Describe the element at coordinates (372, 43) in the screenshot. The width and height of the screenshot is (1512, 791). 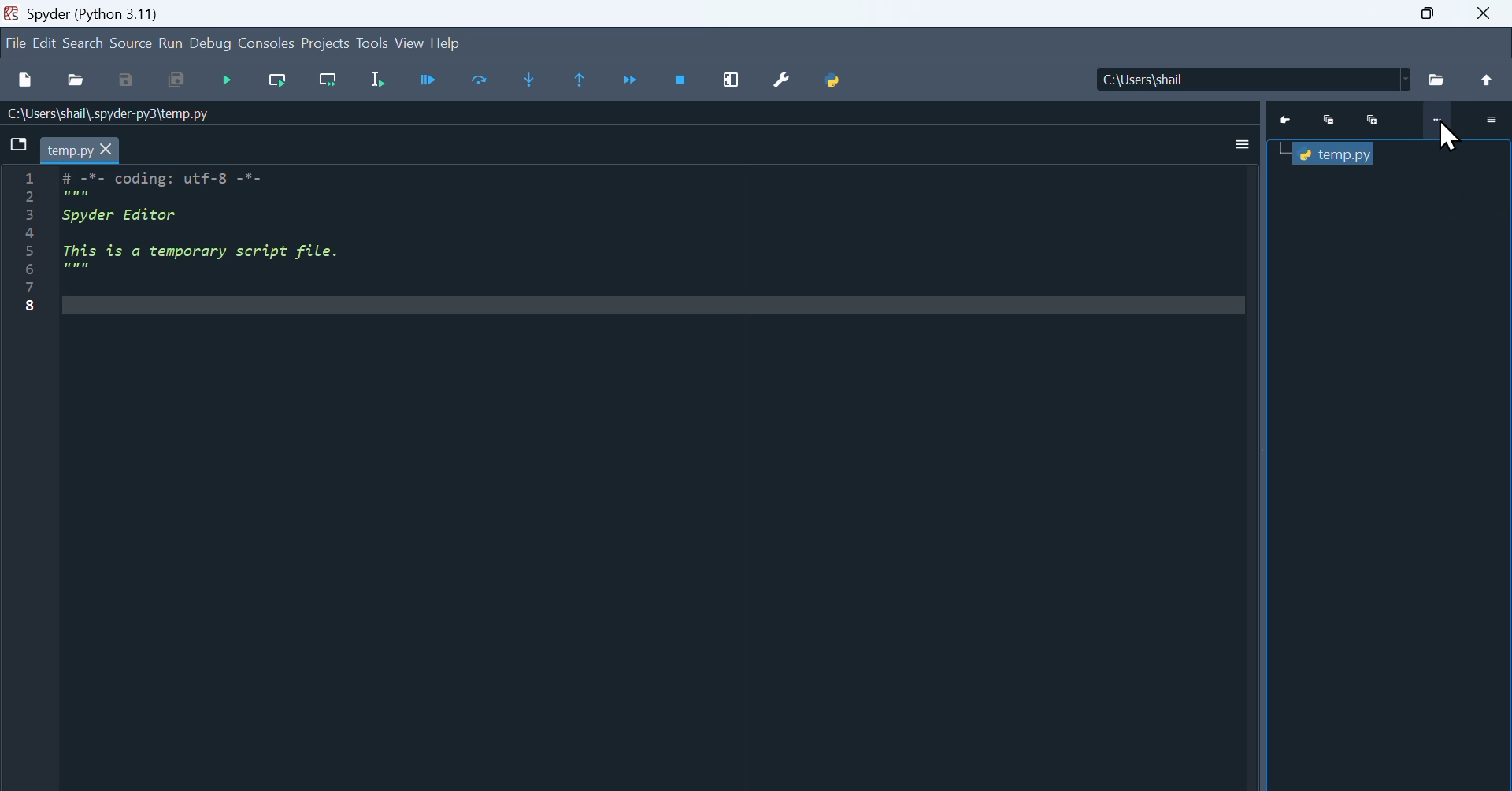
I see `Tools` at that location.